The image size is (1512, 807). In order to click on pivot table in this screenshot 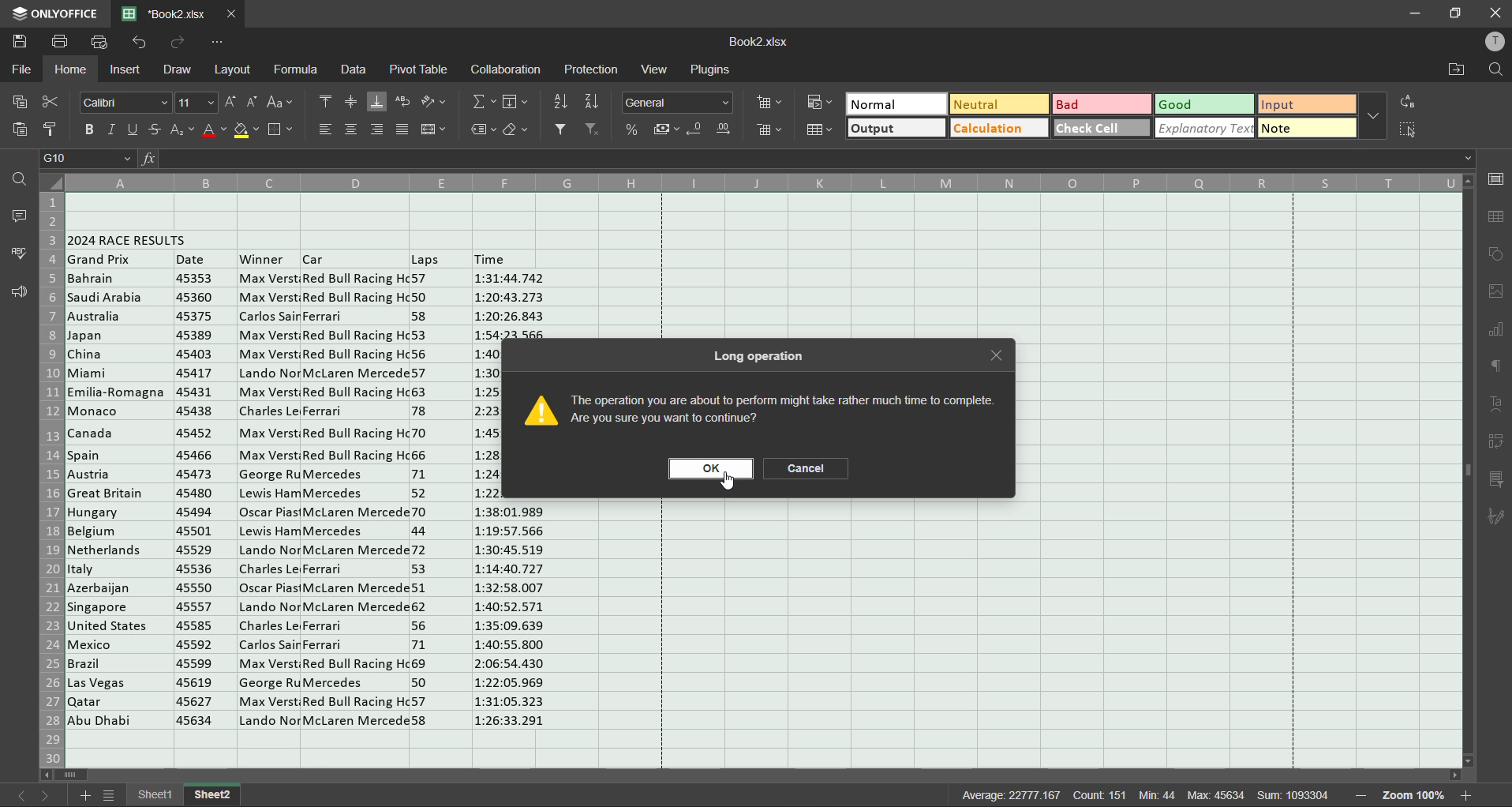, I will do `click(1495, 440)`.